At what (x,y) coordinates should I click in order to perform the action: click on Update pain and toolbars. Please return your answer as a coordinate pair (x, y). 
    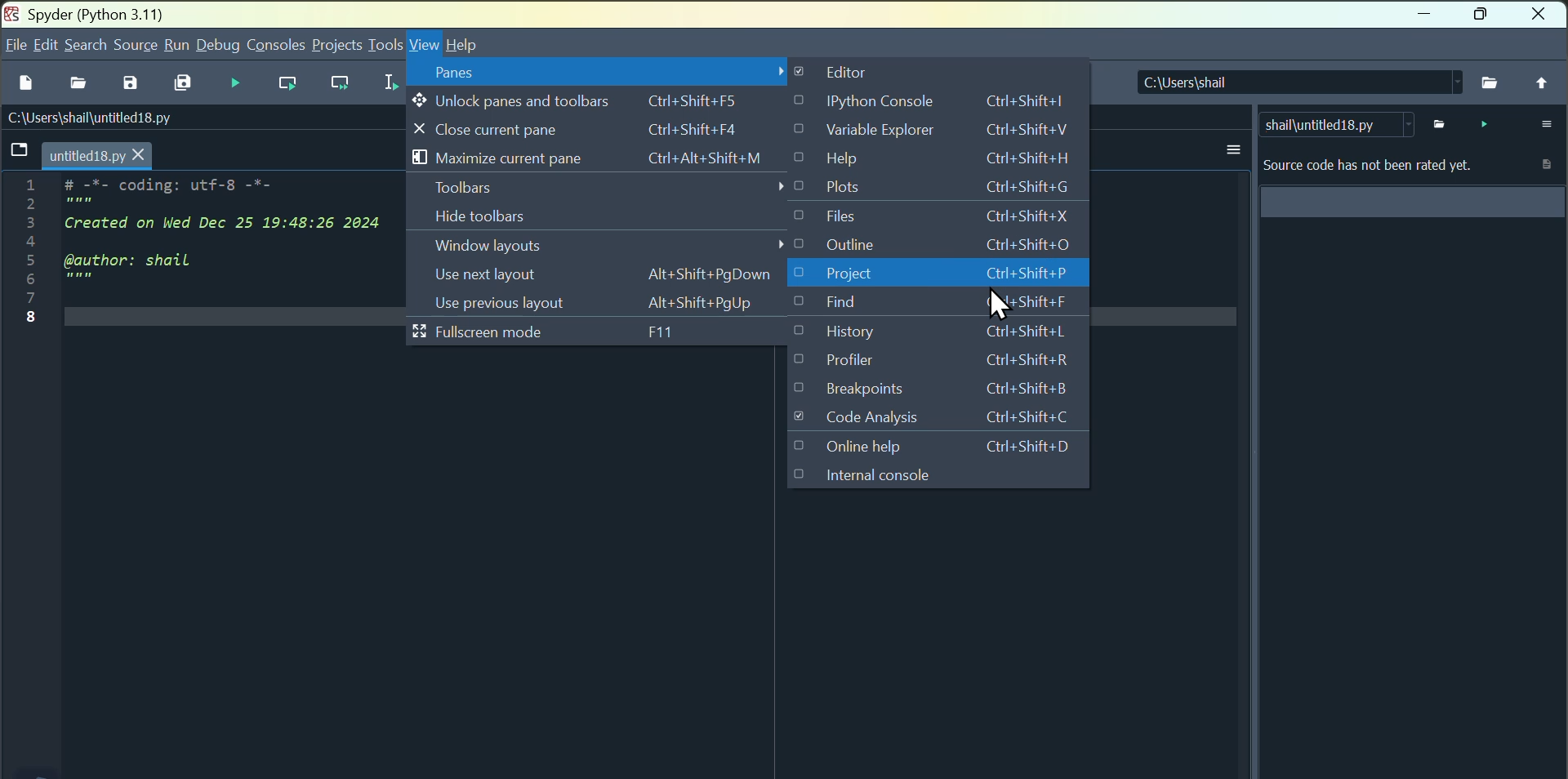
    Looking at the image, I should click on (573, 100).